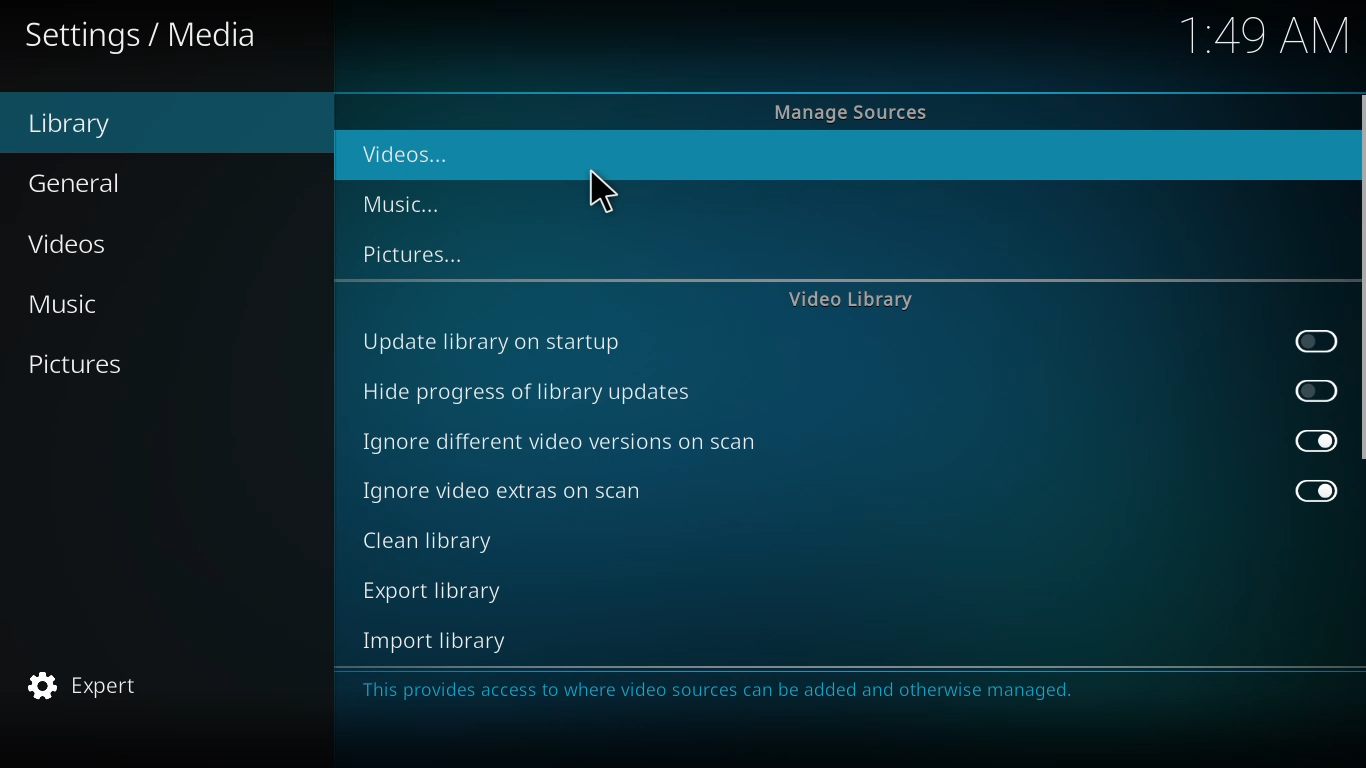 This screenshot has width=1366, height=768. What do you see at coordinates (65, 305) in the screenshot?
I see `music` at bounding box center [65, 305].